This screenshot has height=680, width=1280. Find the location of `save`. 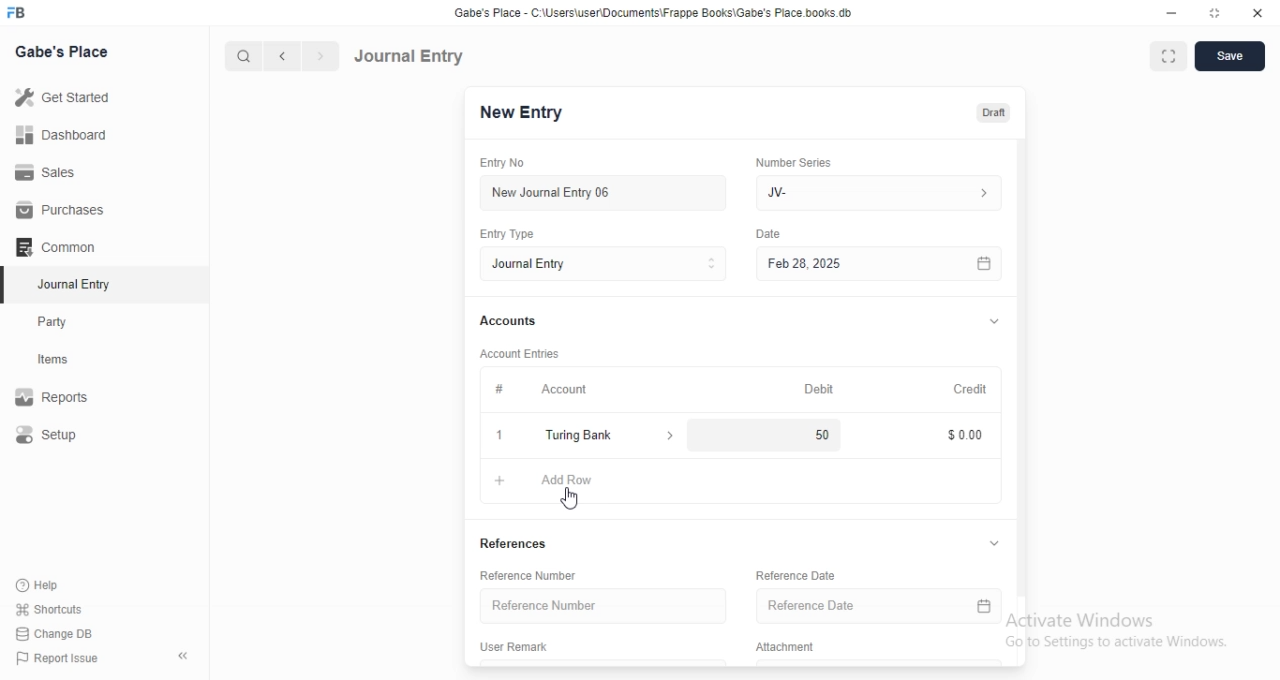

save is located at coordinates (1232, 56).